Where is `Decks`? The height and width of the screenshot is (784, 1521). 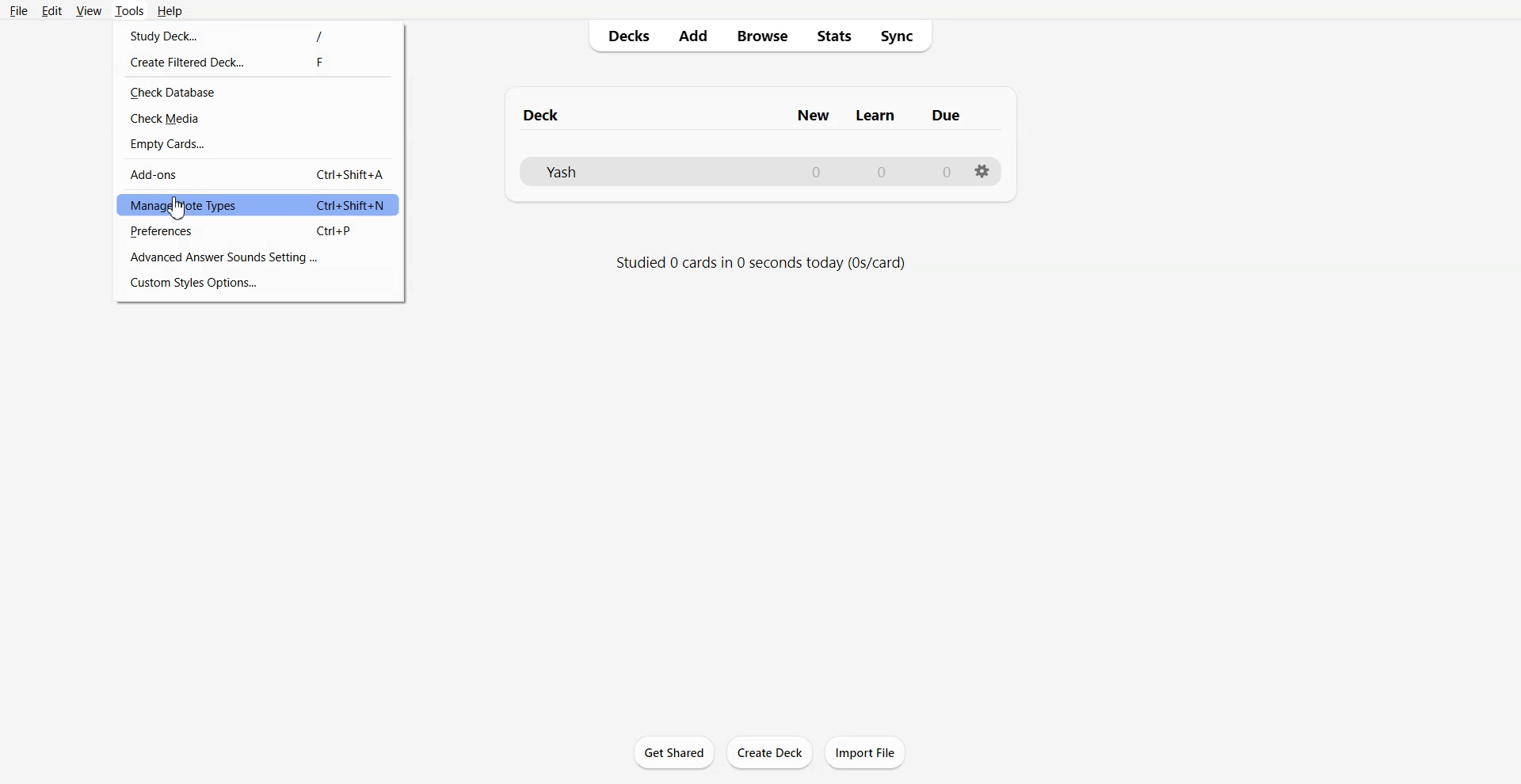
Decks is located at coordinates (623, 36).